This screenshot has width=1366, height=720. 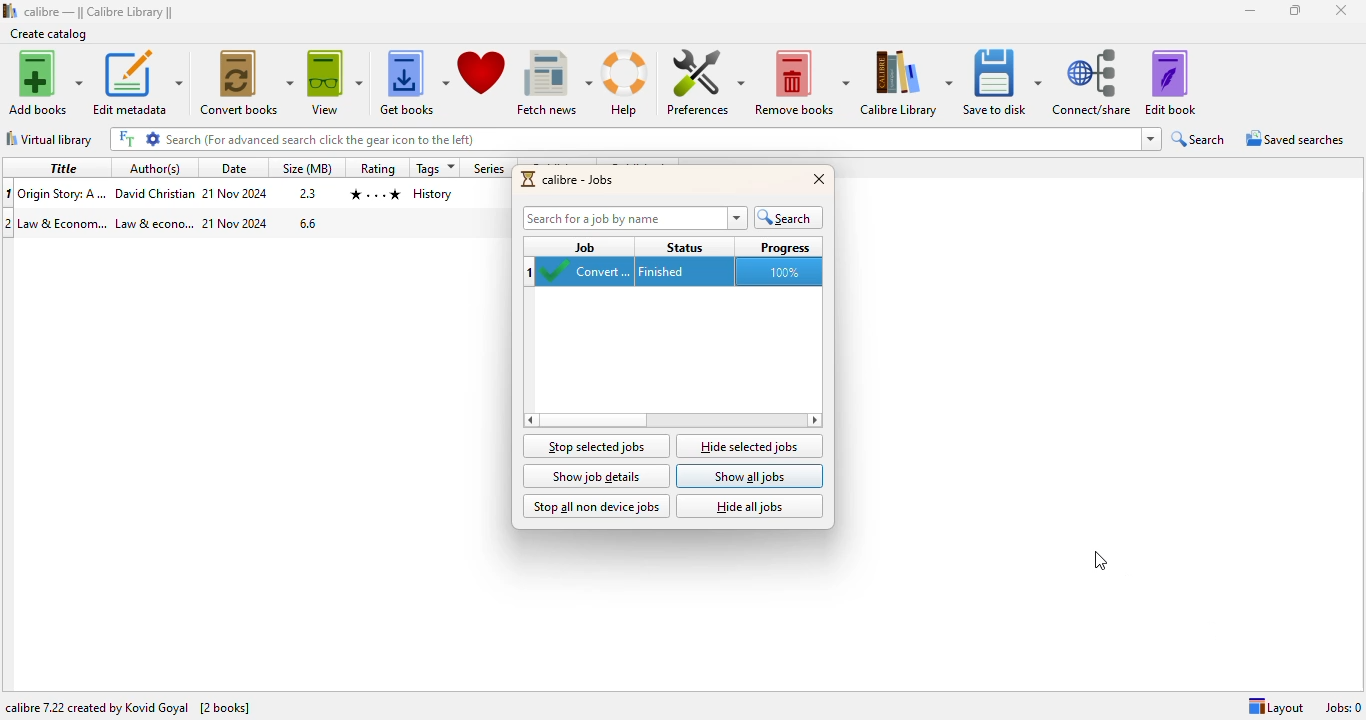 I want to click on scroll left , so click(x=813, y=420).